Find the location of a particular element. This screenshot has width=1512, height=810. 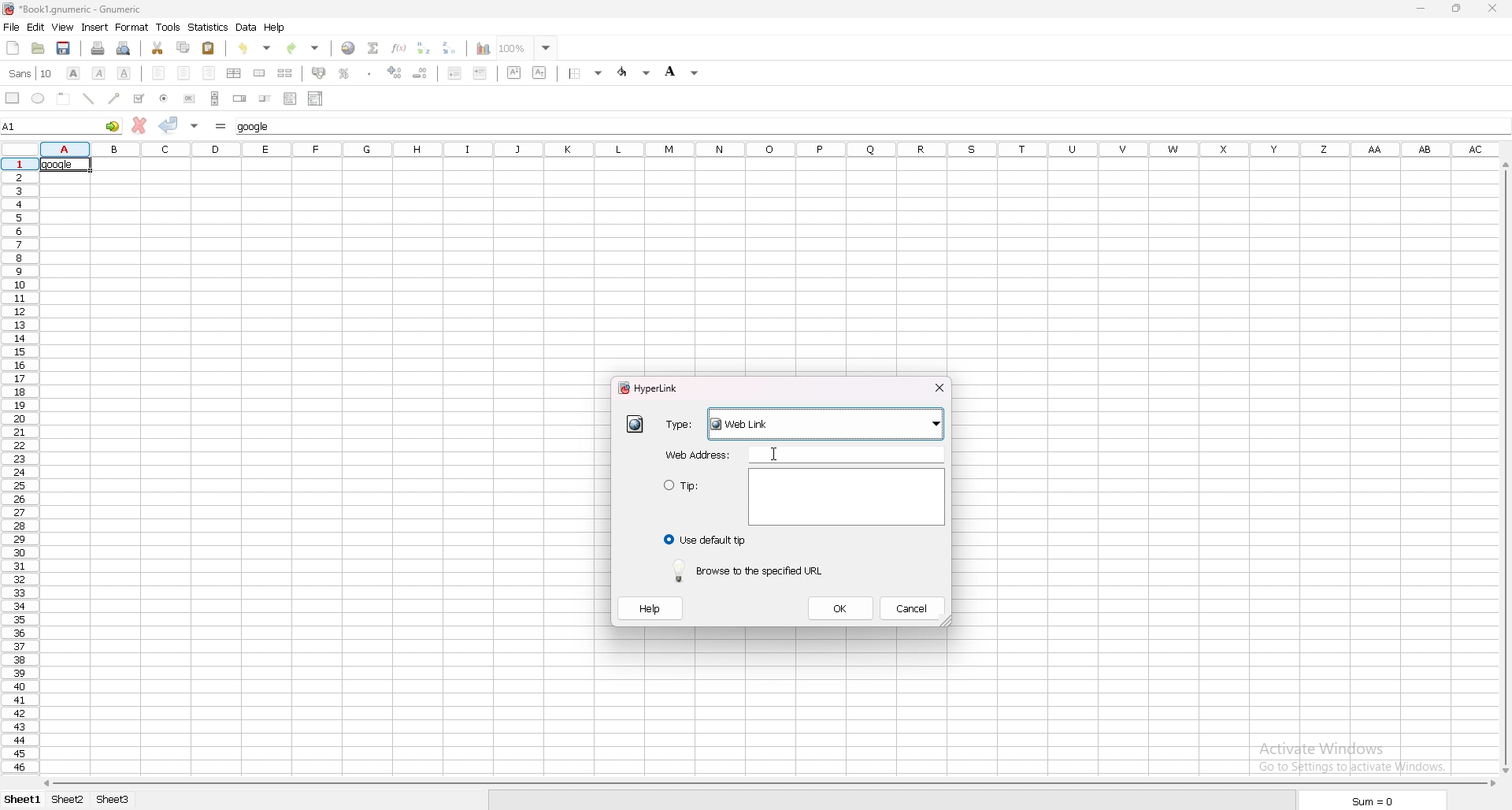

selected cell is located at coordinates (61, 124).